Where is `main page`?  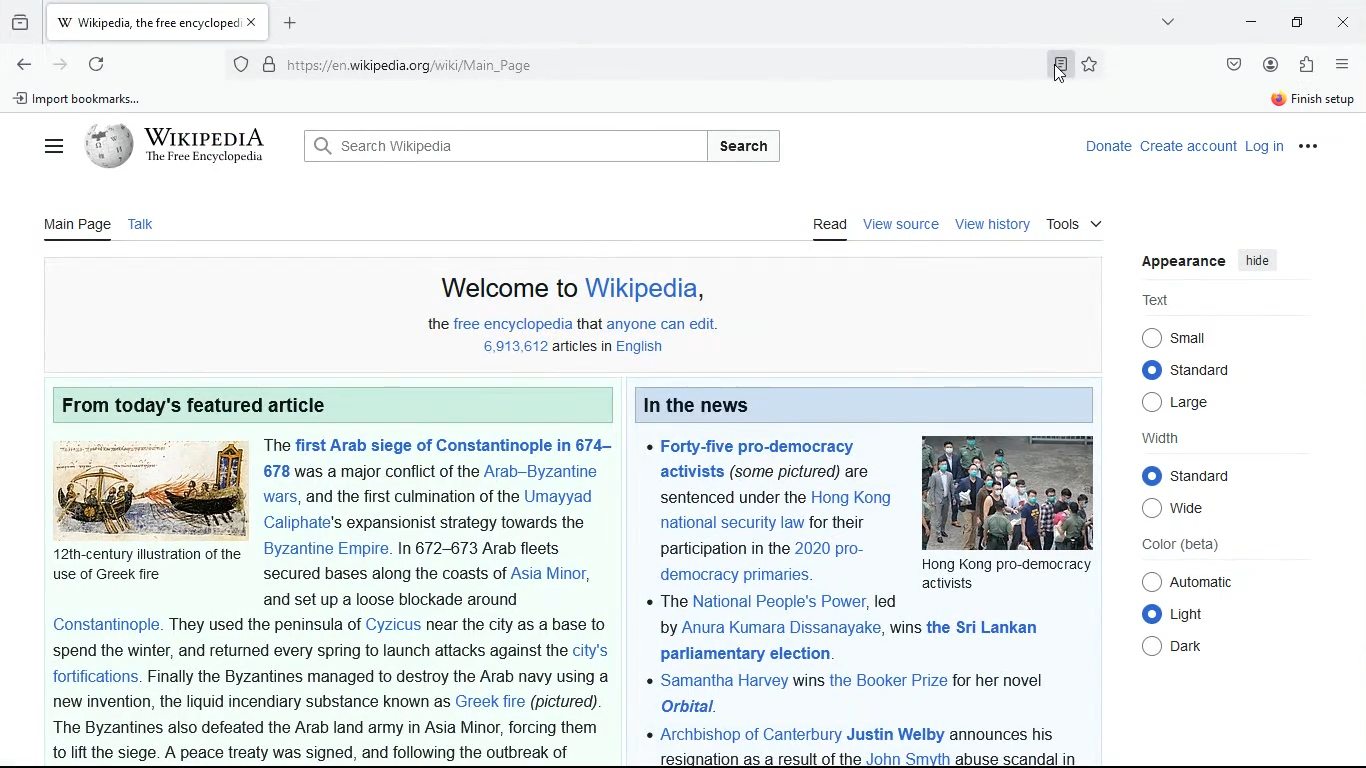
main page is located at coordinates (77, 229).